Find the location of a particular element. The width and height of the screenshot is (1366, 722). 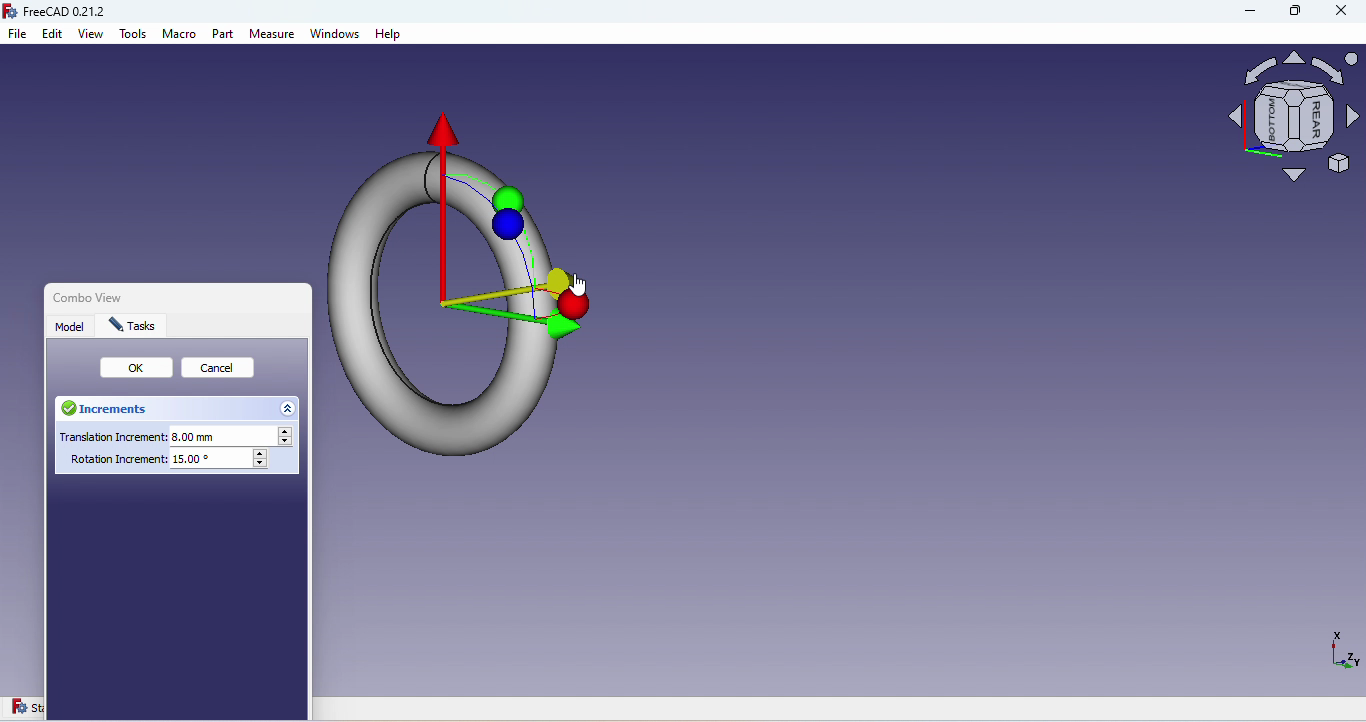

cursor is located at coordinates (580, 285).